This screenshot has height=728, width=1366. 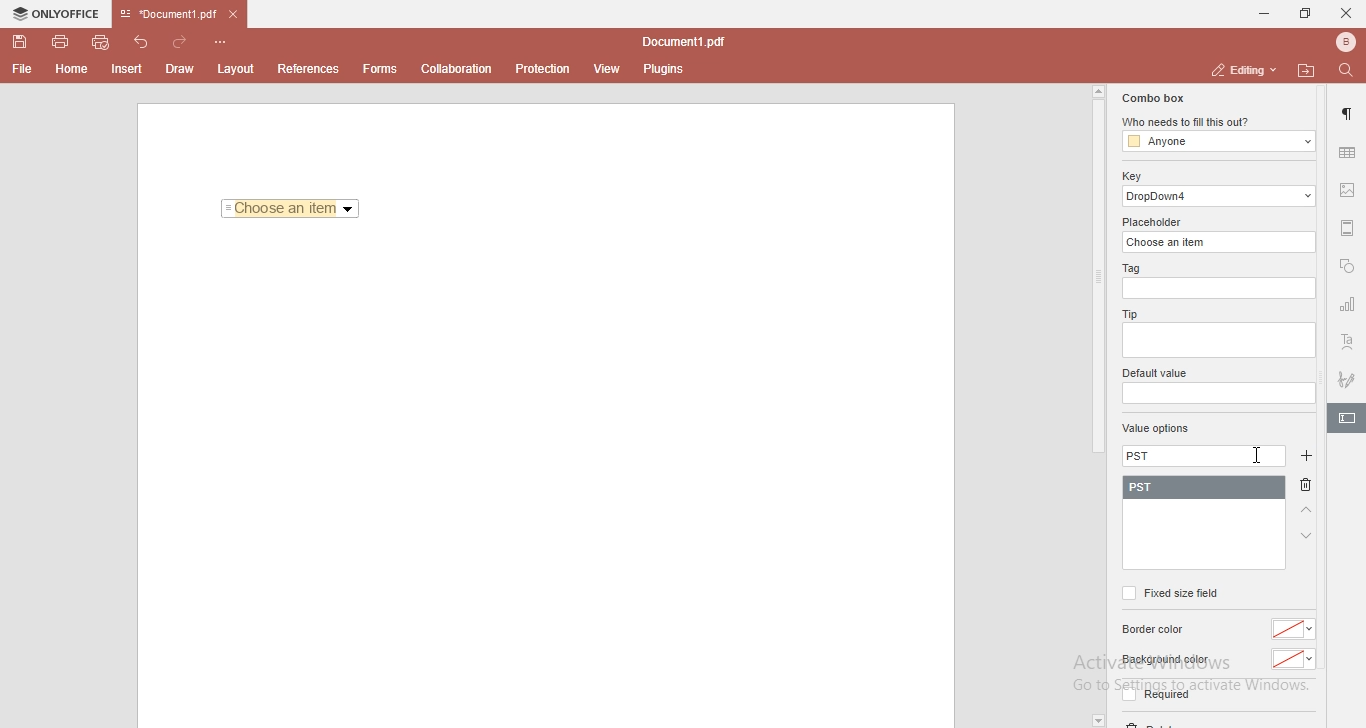 I want to click on PST added, so click(x=1208, y=488).